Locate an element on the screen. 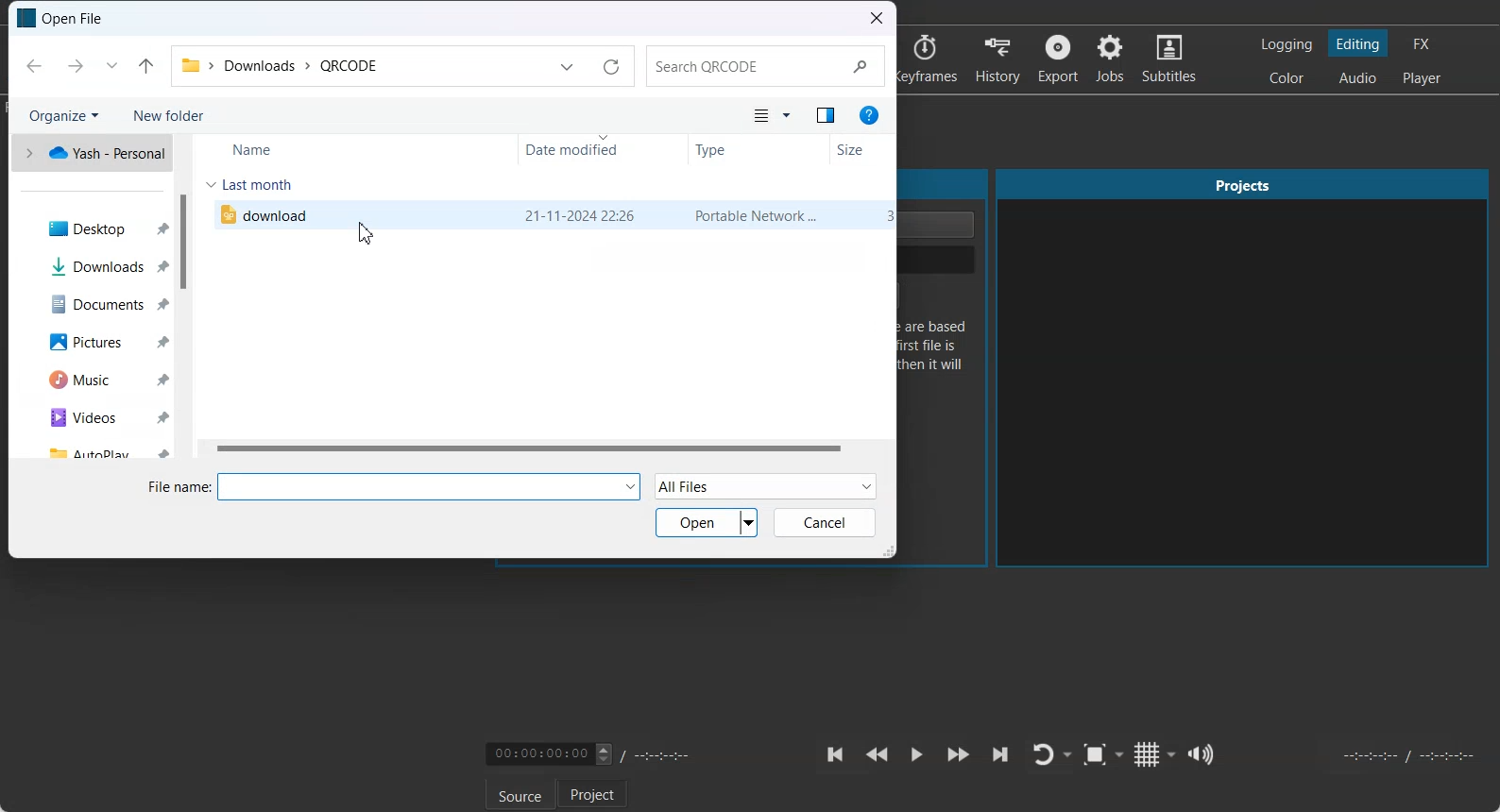 The height and width of the screenshot is (812, 1500). Name is located at coordinates (255, 149).